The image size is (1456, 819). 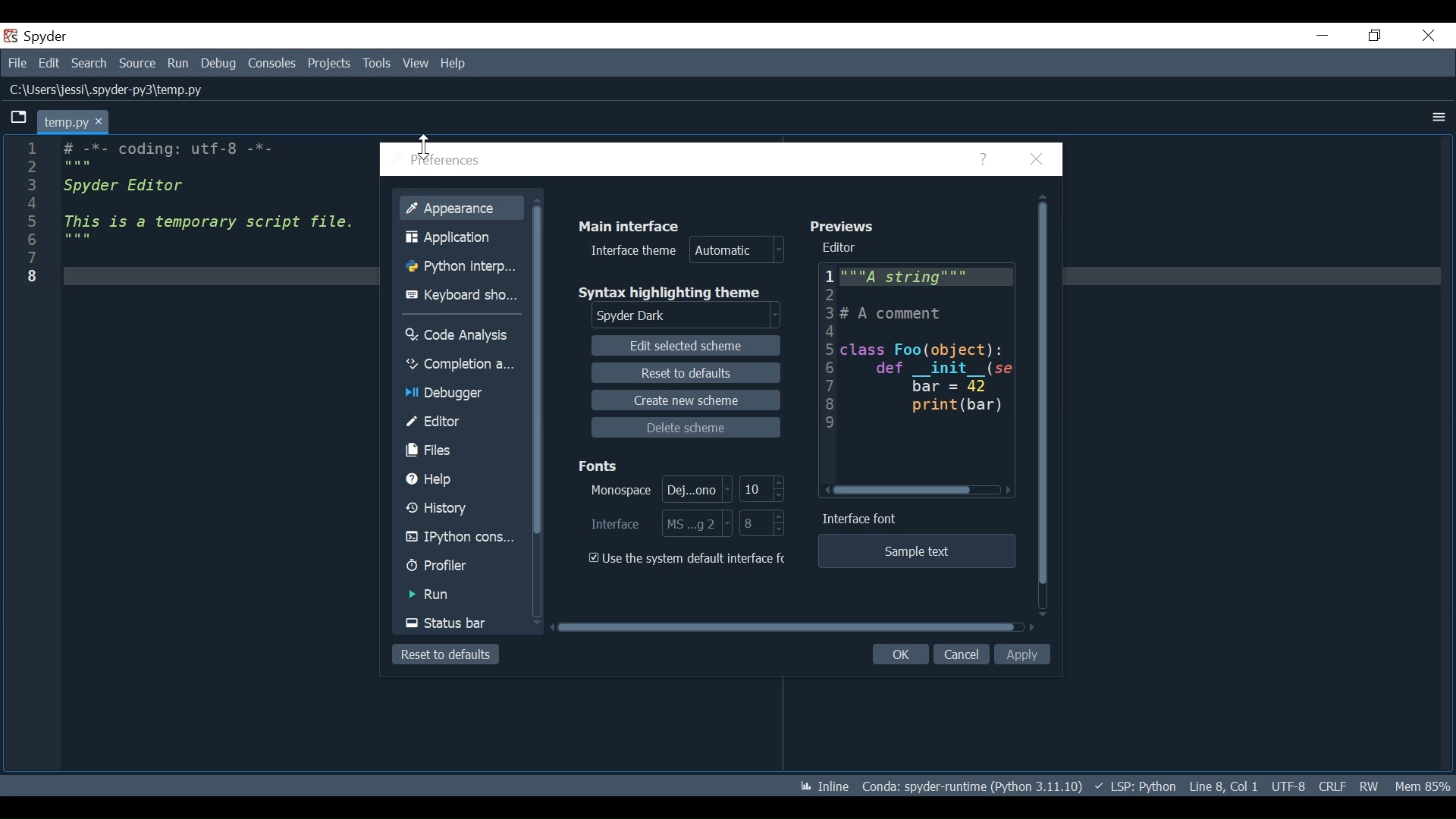 I want to click on Restore, so click(x=1373, y=36).